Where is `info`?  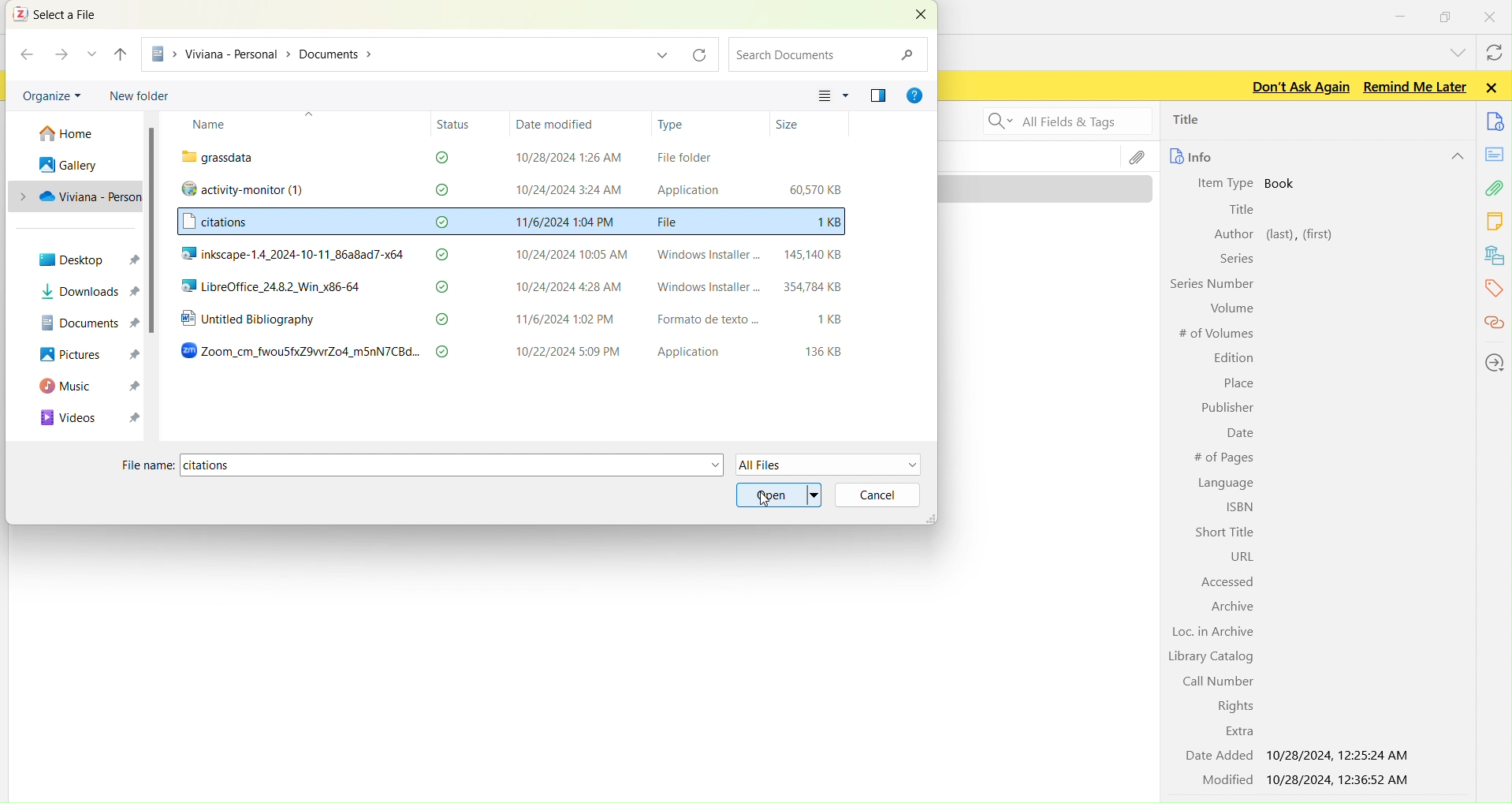
info is located at coordinates (1195, 155).